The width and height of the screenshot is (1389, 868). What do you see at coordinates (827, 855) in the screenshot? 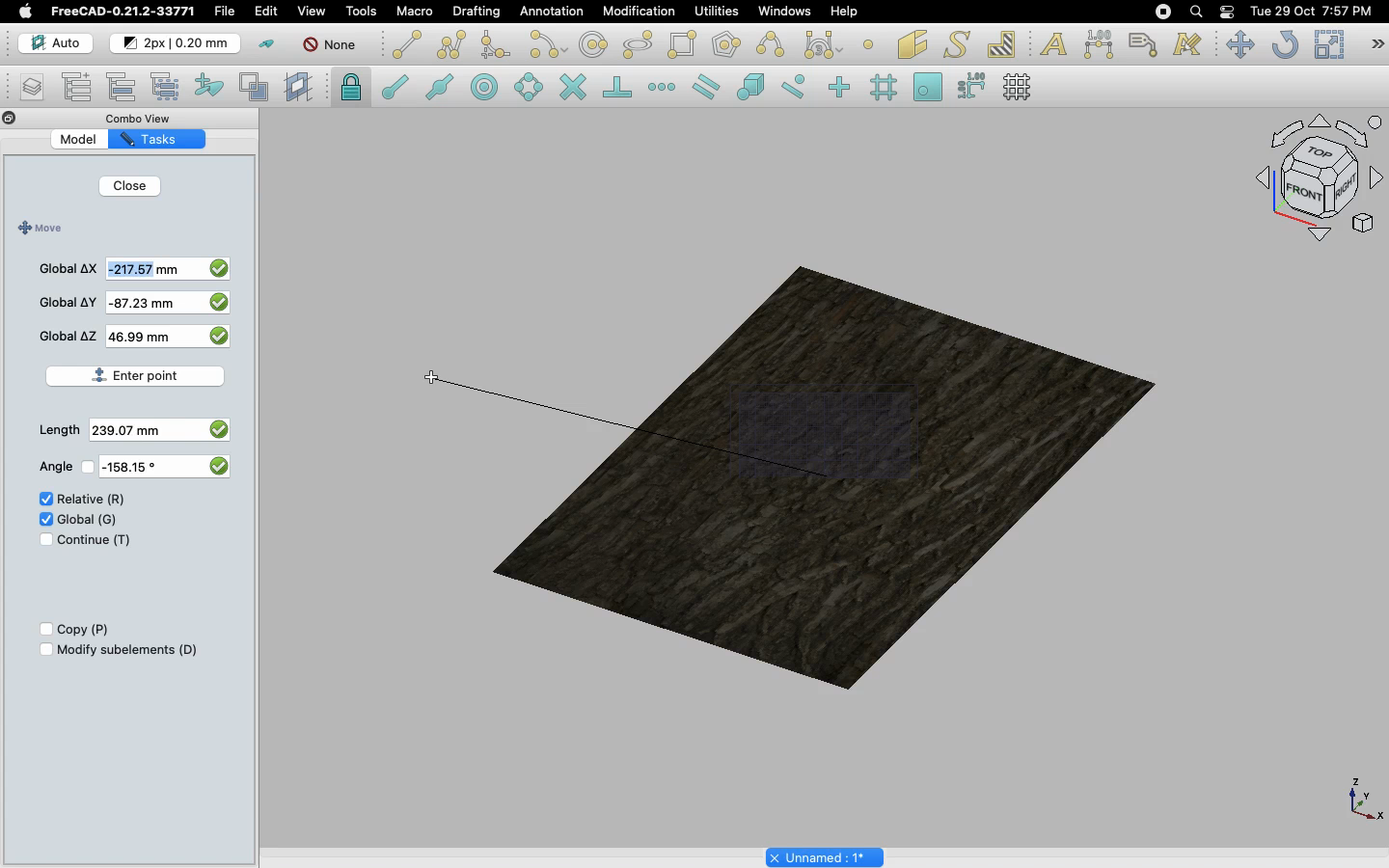
I see `Project name` at bounding box center [827, 855].